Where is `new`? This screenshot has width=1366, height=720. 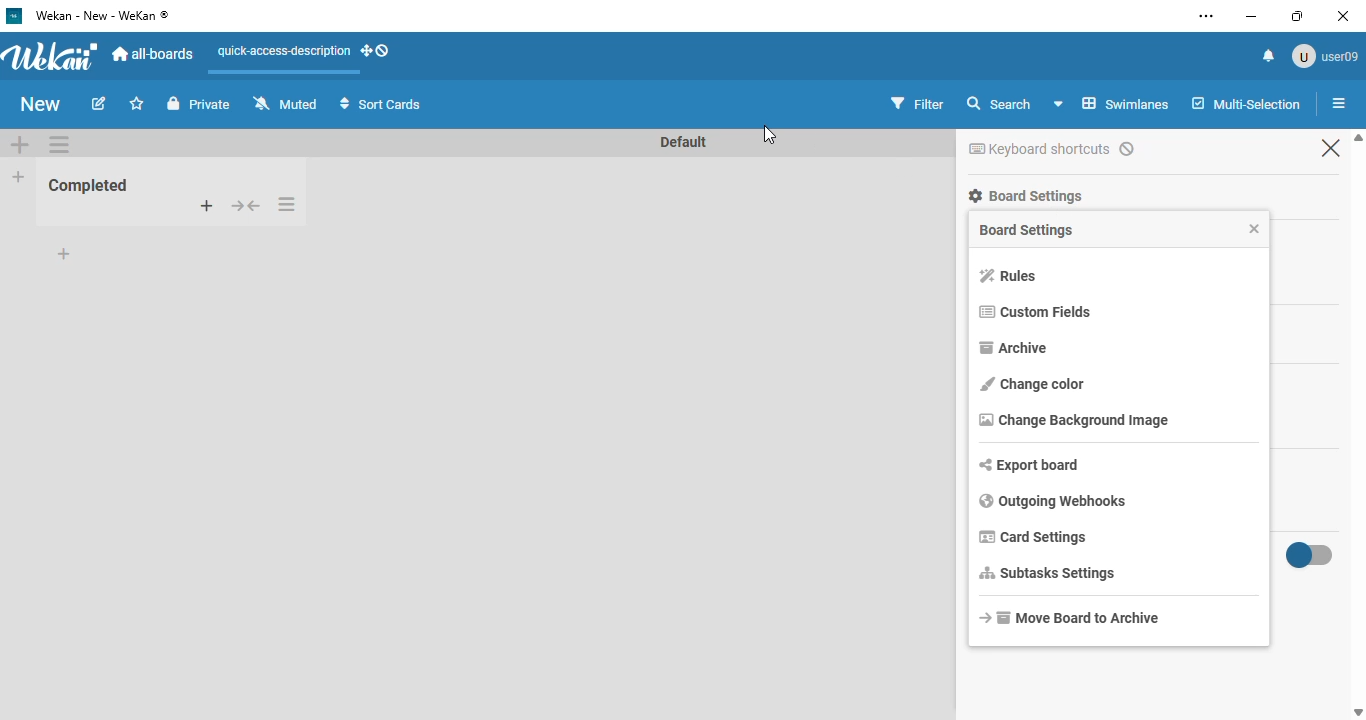
new is located at coordinates (42, 104).